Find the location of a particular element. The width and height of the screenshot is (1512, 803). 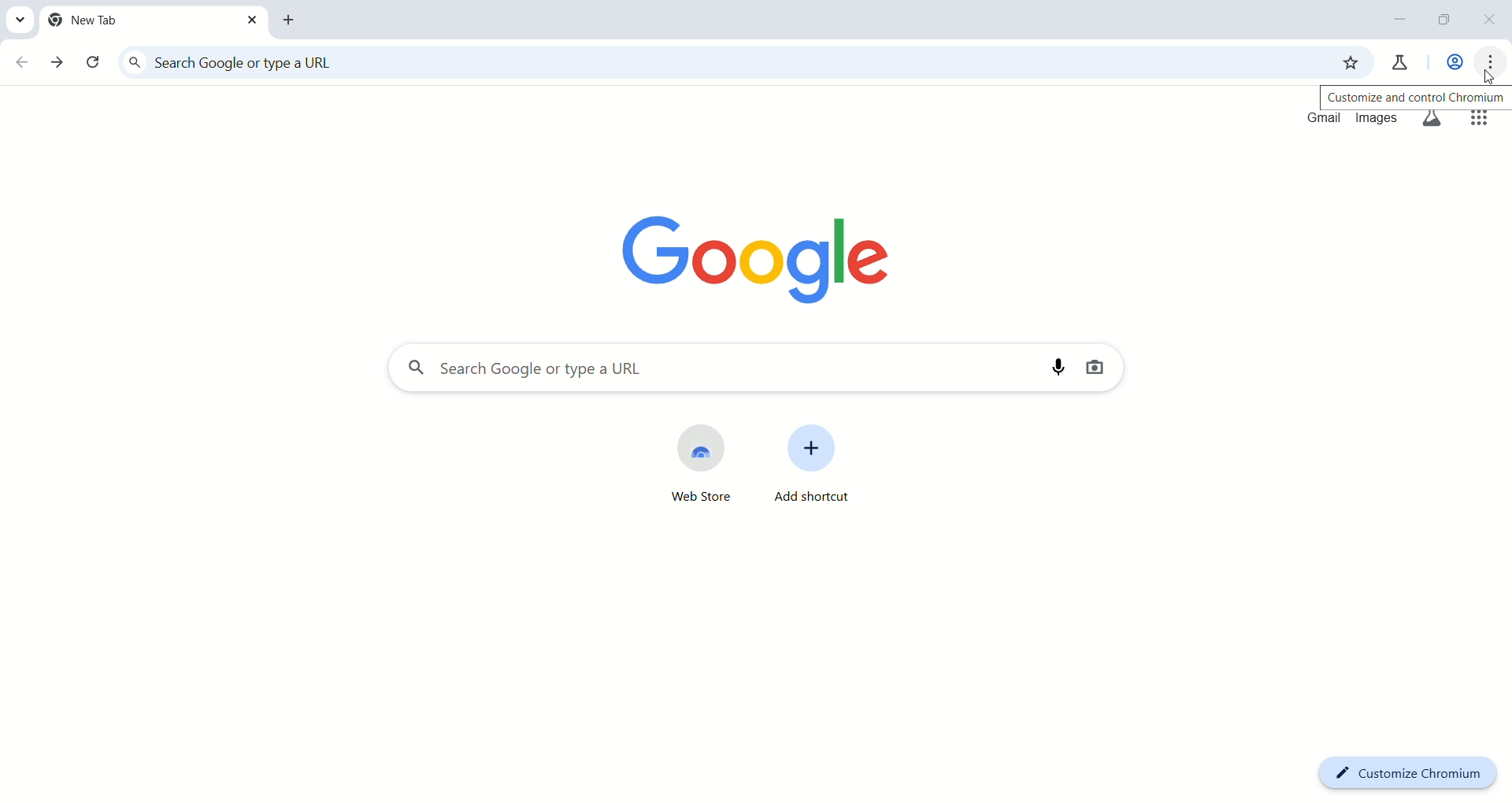

go forward is located at coordinates (59, 63).